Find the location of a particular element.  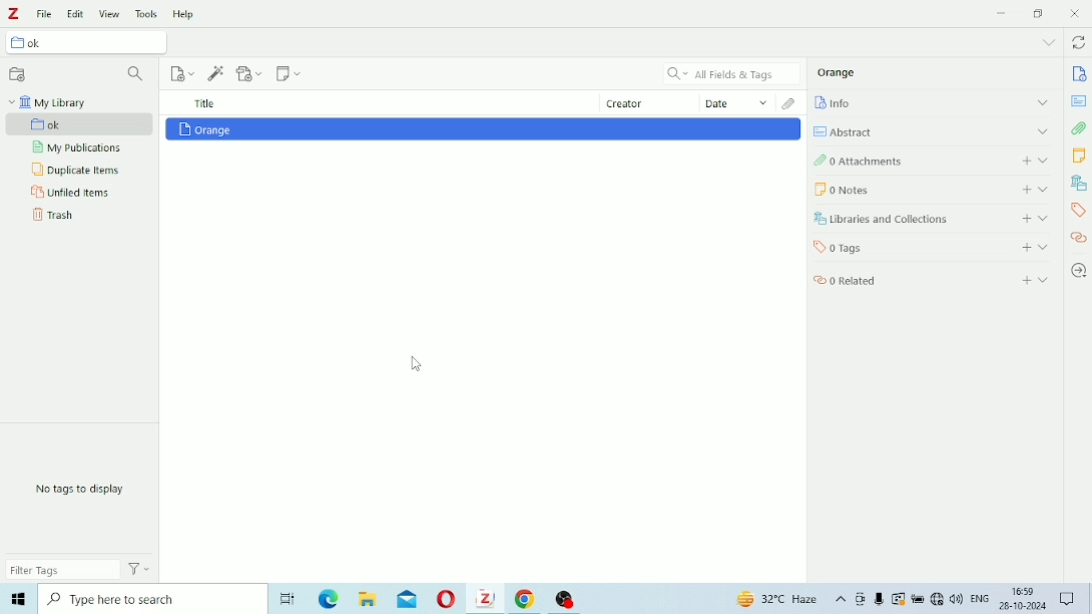

Notes is located at coordinates (934, 189).